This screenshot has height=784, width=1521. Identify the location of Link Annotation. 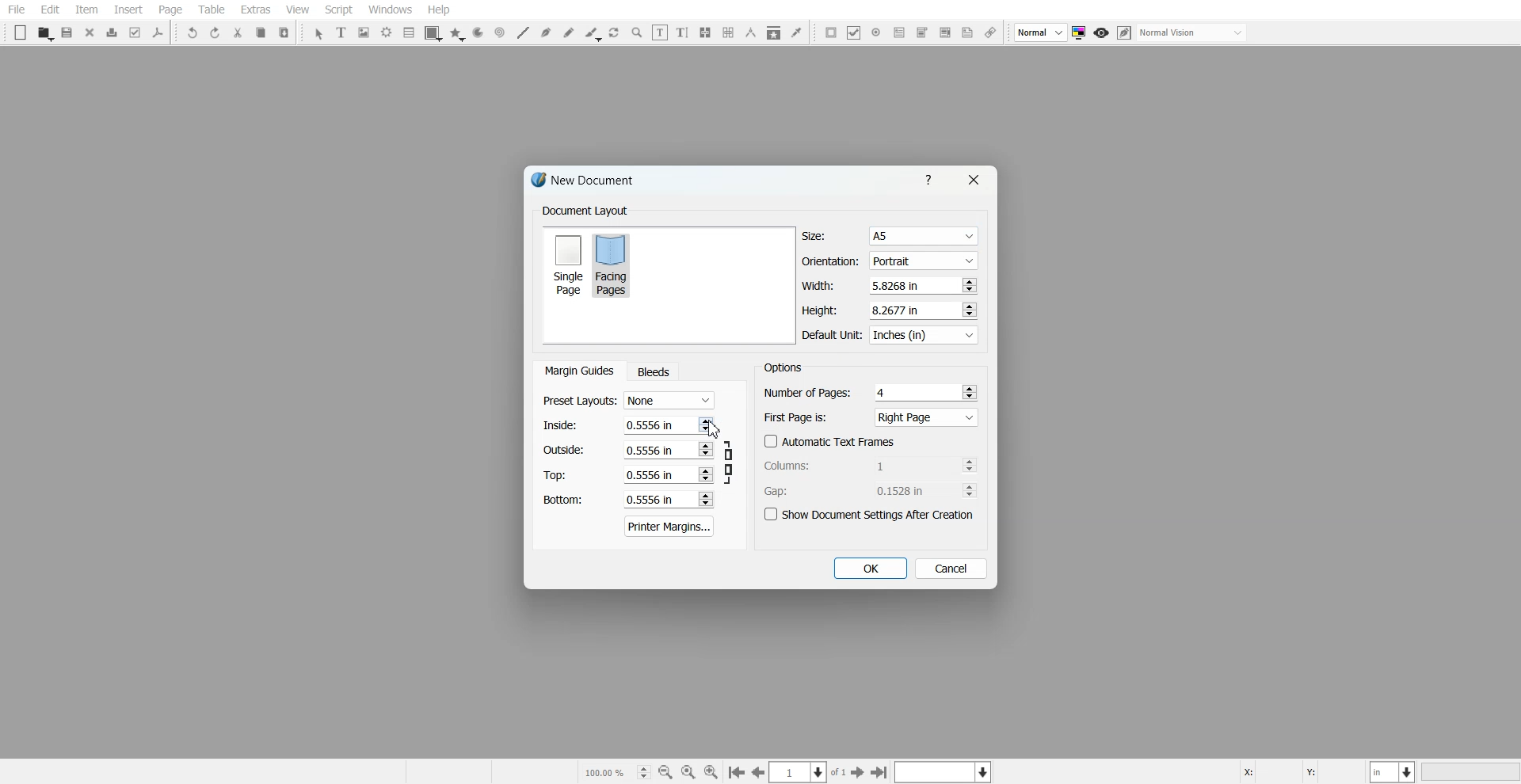
(990, 33).